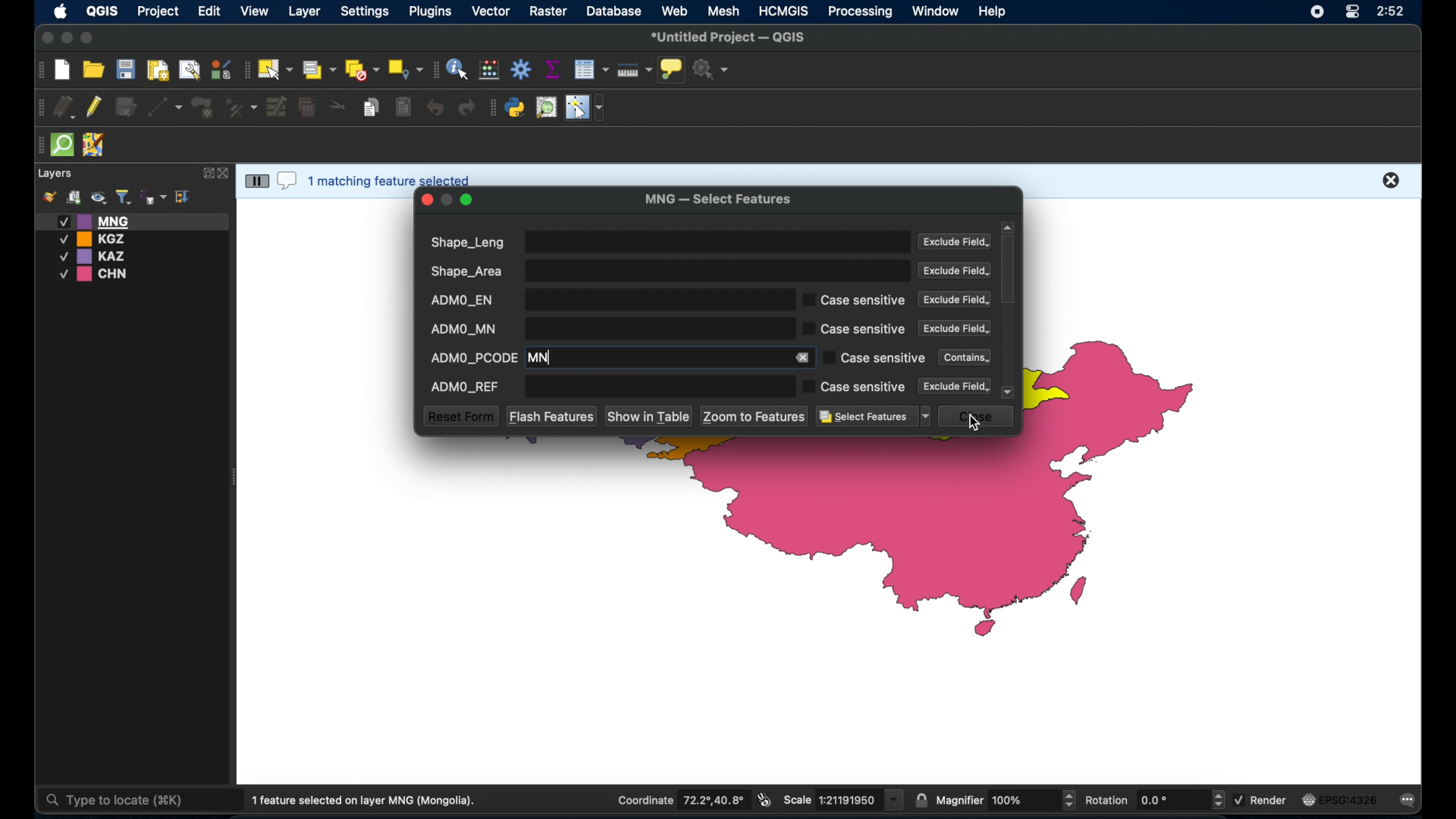 This screenshot has height=819, width=1456. Describe the element at coordinates (861, 12) in the screenshot. I see `processing` at that location.